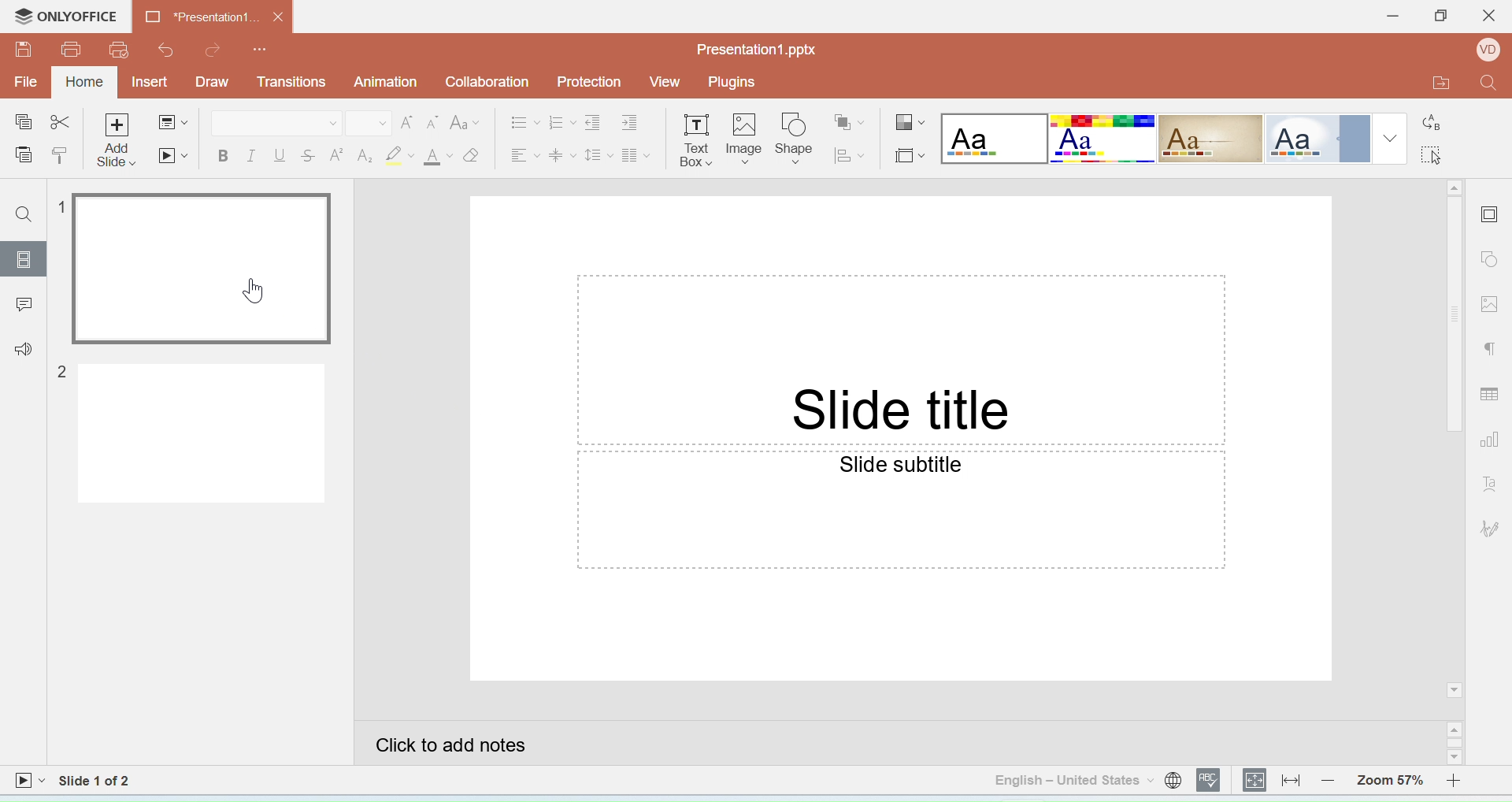 This screenshot has width=1512, height=802. Describe the element at coordinates (1210, 780) in the screenshot. I see `Spell checking` at that location.